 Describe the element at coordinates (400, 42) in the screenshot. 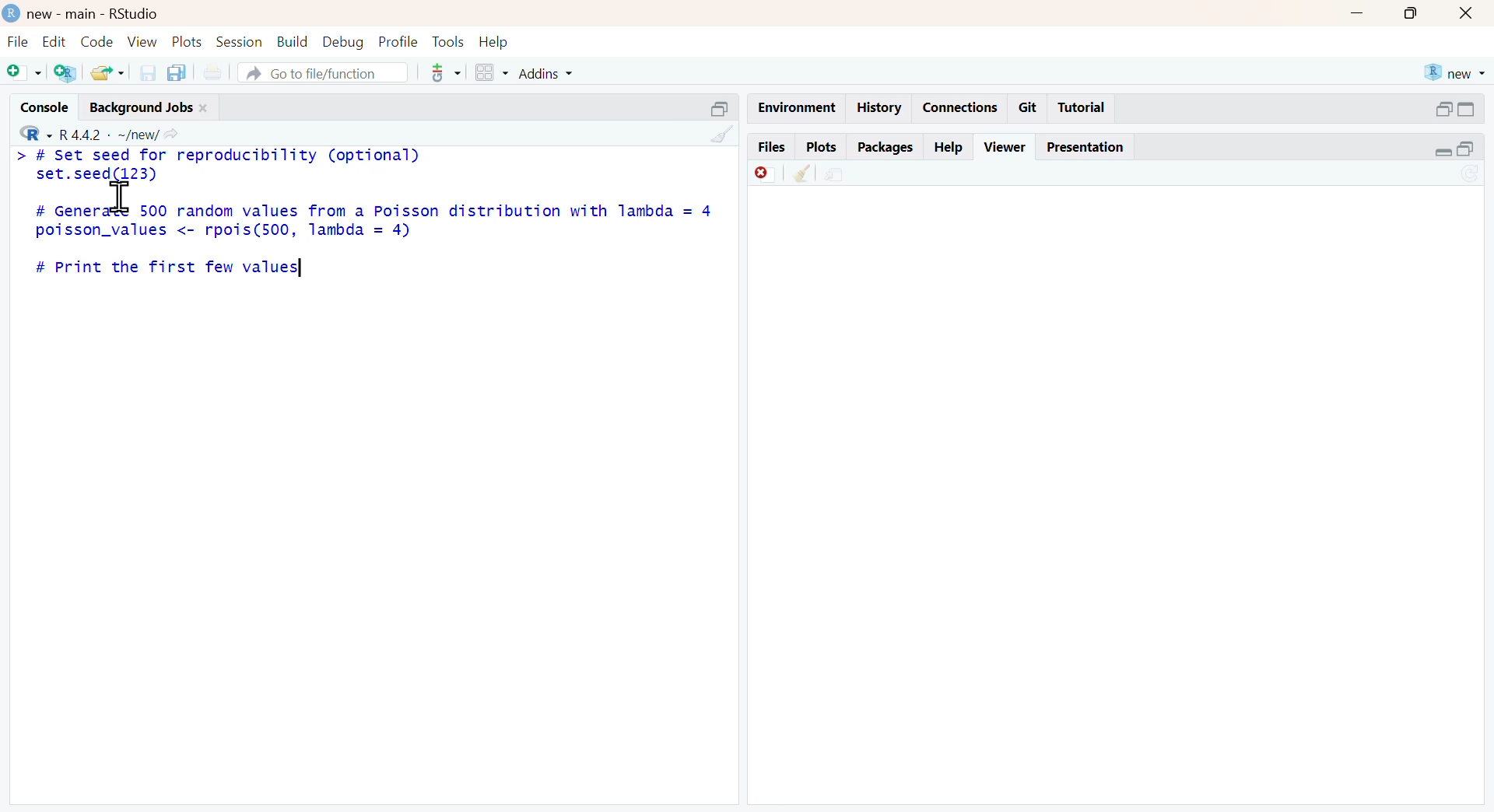

I see `ptofile` at that location.